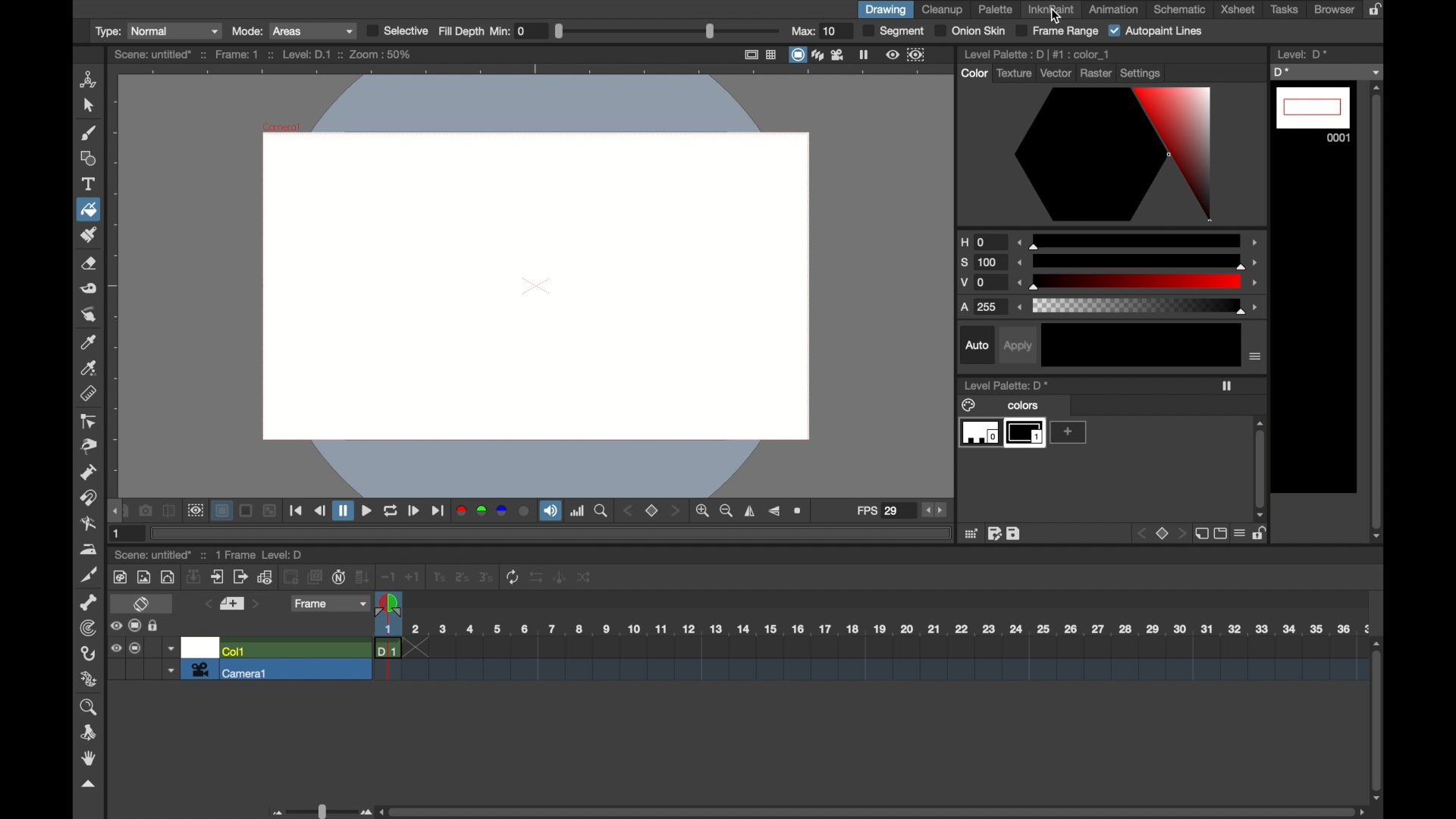 This screenshot has width=1456, height=819. What do you see at coordinates (89, 447) in the screenshot?
I see `pinch tool` at bounding box center [89, 447].